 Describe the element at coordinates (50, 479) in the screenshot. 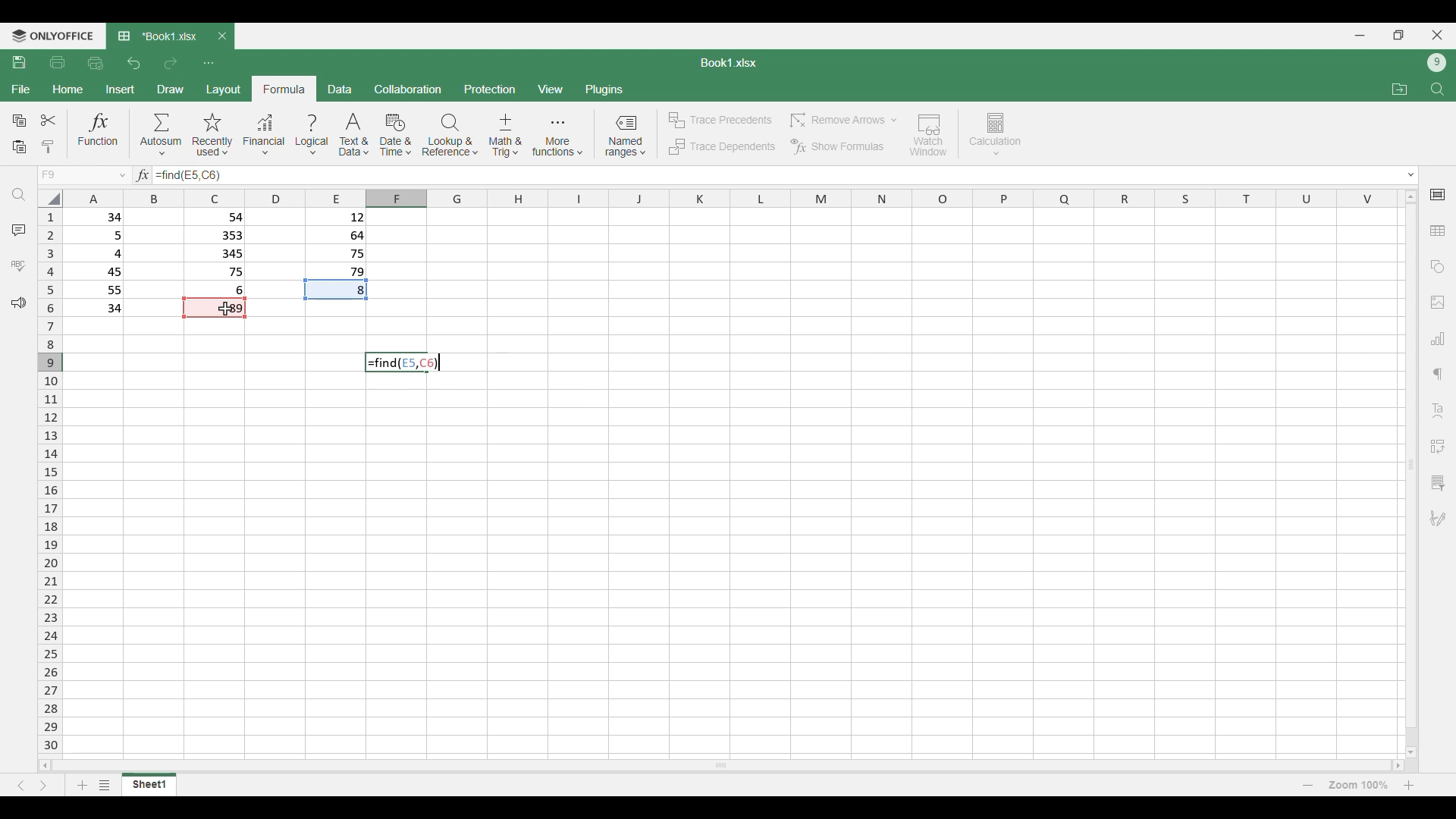

I see `Indicates rows` at that location.